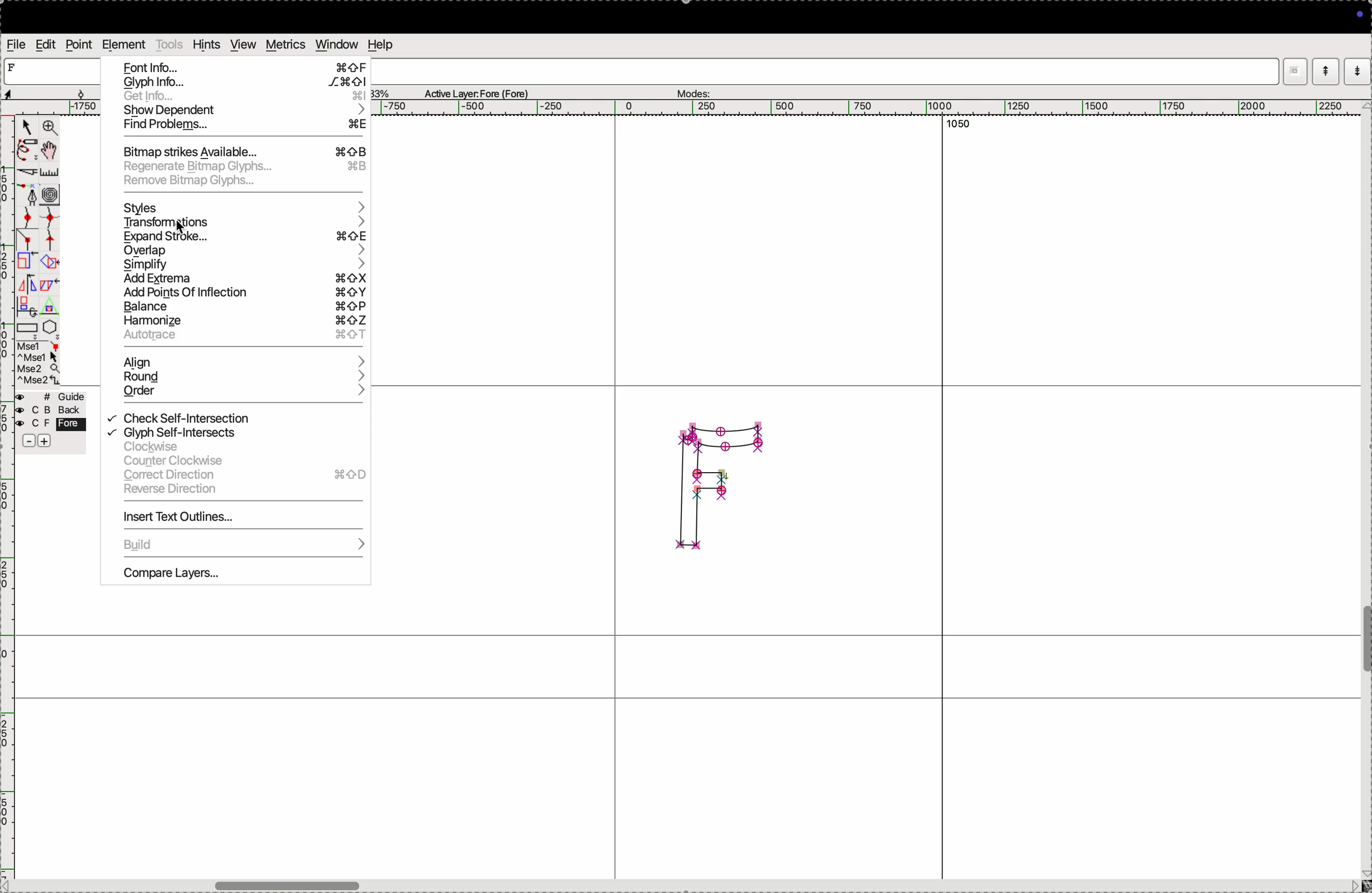 Image resolution: width=1372 pixels, height=893 pixels. I want to click on align, so click(241, 360).